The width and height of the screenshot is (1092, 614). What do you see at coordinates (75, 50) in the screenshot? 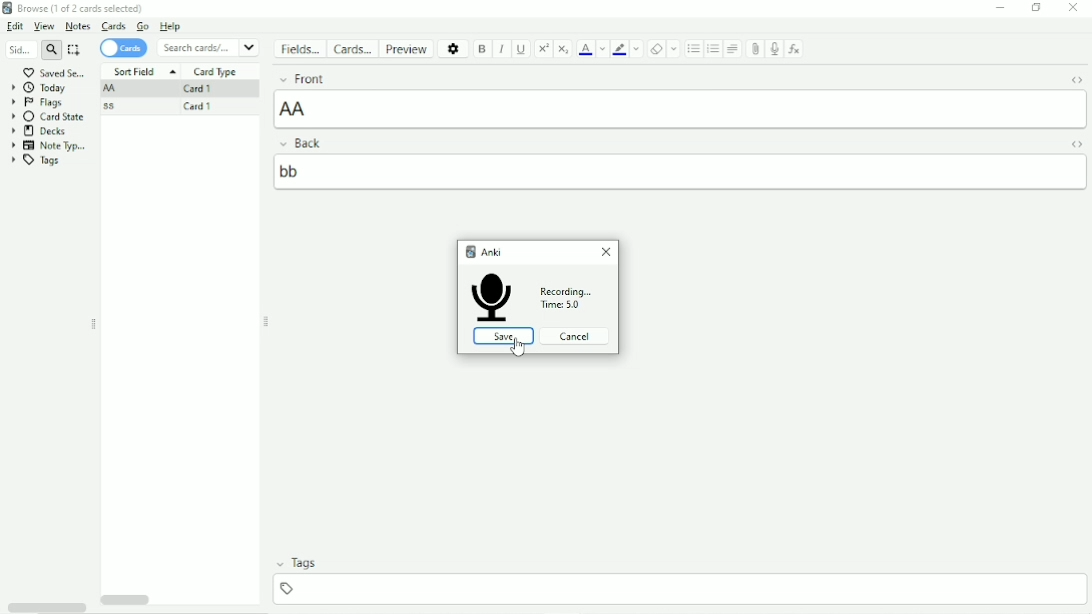
I see `Select` at bounding box center [75, 50].